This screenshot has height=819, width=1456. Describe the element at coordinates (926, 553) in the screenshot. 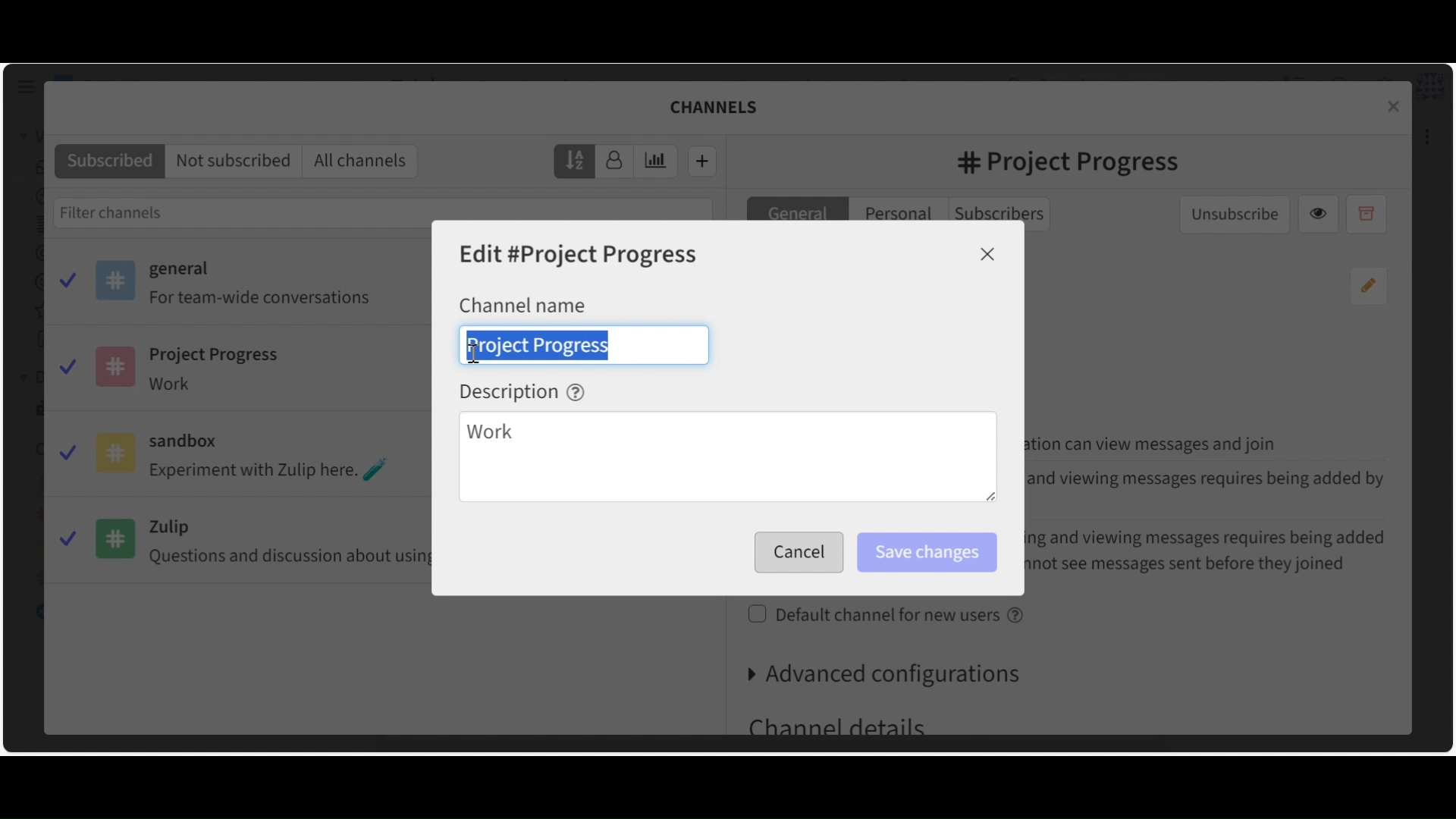

I see `Save Changes` at that location.